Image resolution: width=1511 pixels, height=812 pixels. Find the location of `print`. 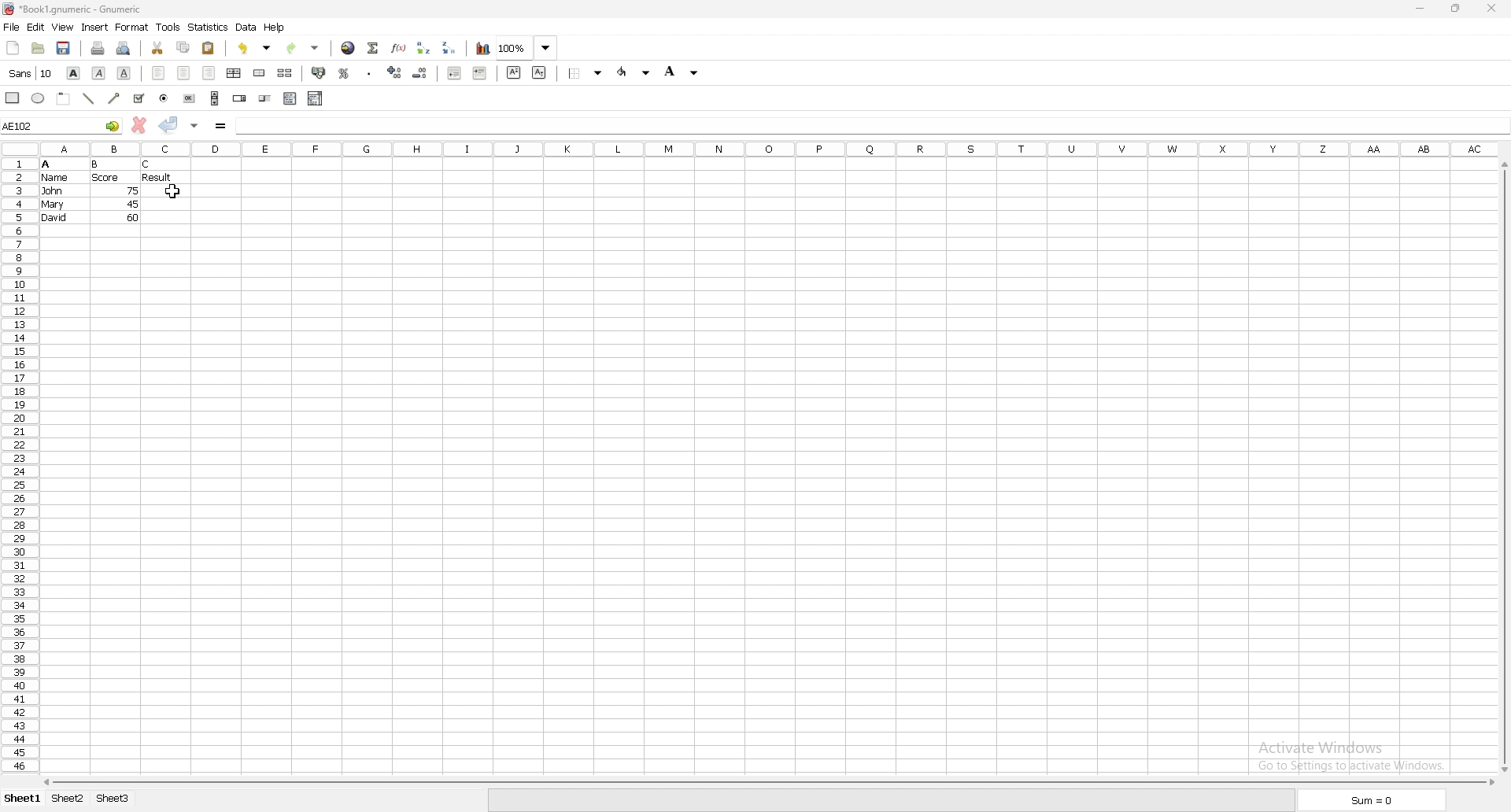

print is located at coordinates (98, 49).